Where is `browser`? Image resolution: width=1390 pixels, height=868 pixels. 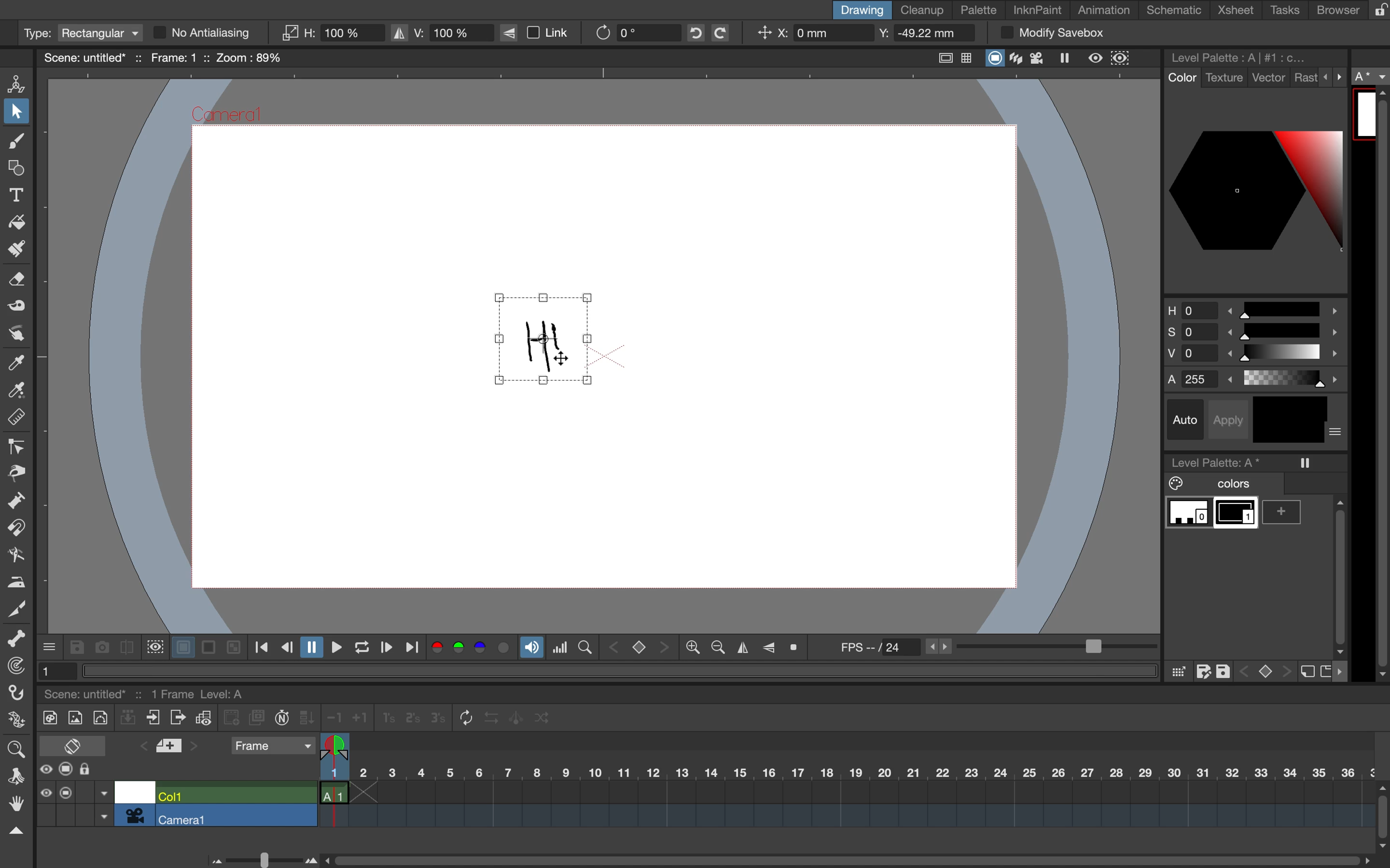
browser is located at coordinates (1330, 9).